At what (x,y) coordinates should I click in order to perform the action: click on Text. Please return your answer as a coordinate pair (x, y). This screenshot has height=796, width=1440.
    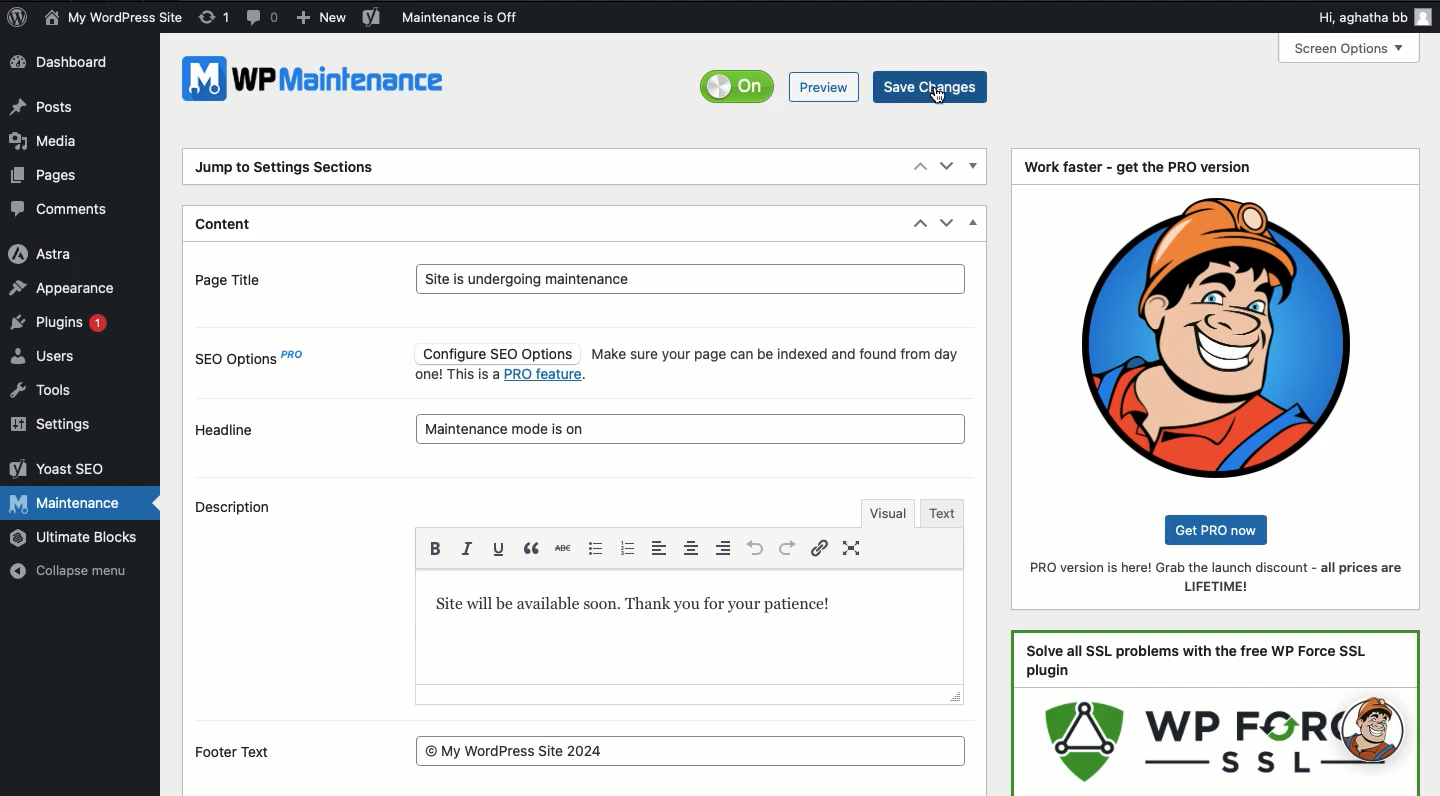
    Looking at the image, I should click on (653, 605).